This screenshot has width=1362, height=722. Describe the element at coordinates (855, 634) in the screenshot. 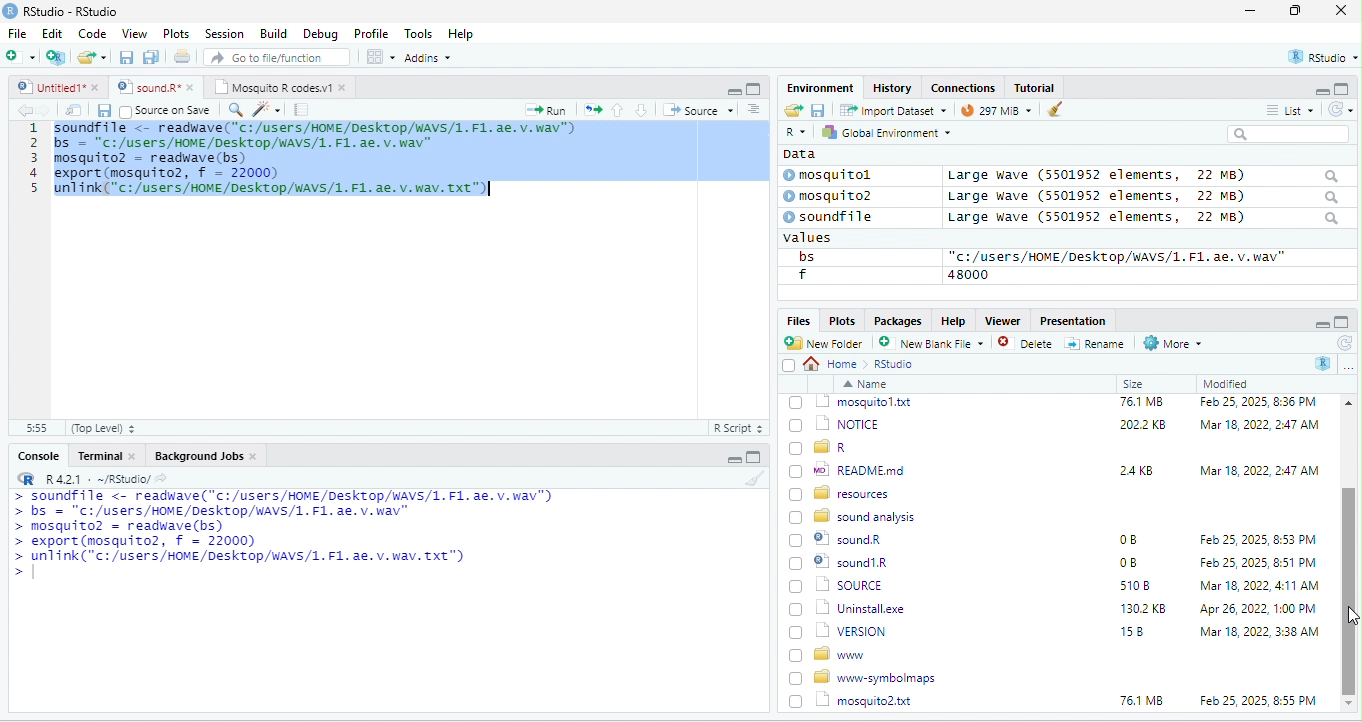

I see `8 sound analysis` at that location.